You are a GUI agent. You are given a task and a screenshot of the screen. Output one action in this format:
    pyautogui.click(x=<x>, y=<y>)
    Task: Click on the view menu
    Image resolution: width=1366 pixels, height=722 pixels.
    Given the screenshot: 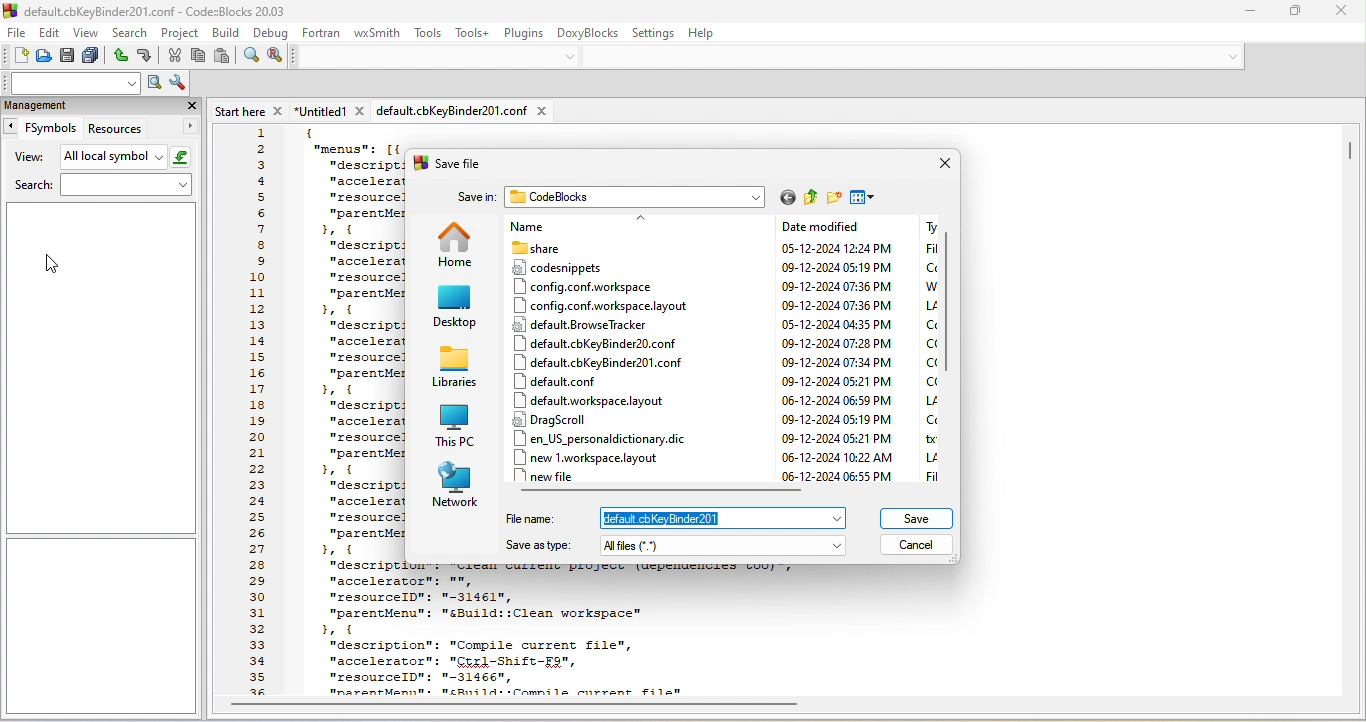 What is the action you would take?
    pyautogui.click(x=863, y=196)
    